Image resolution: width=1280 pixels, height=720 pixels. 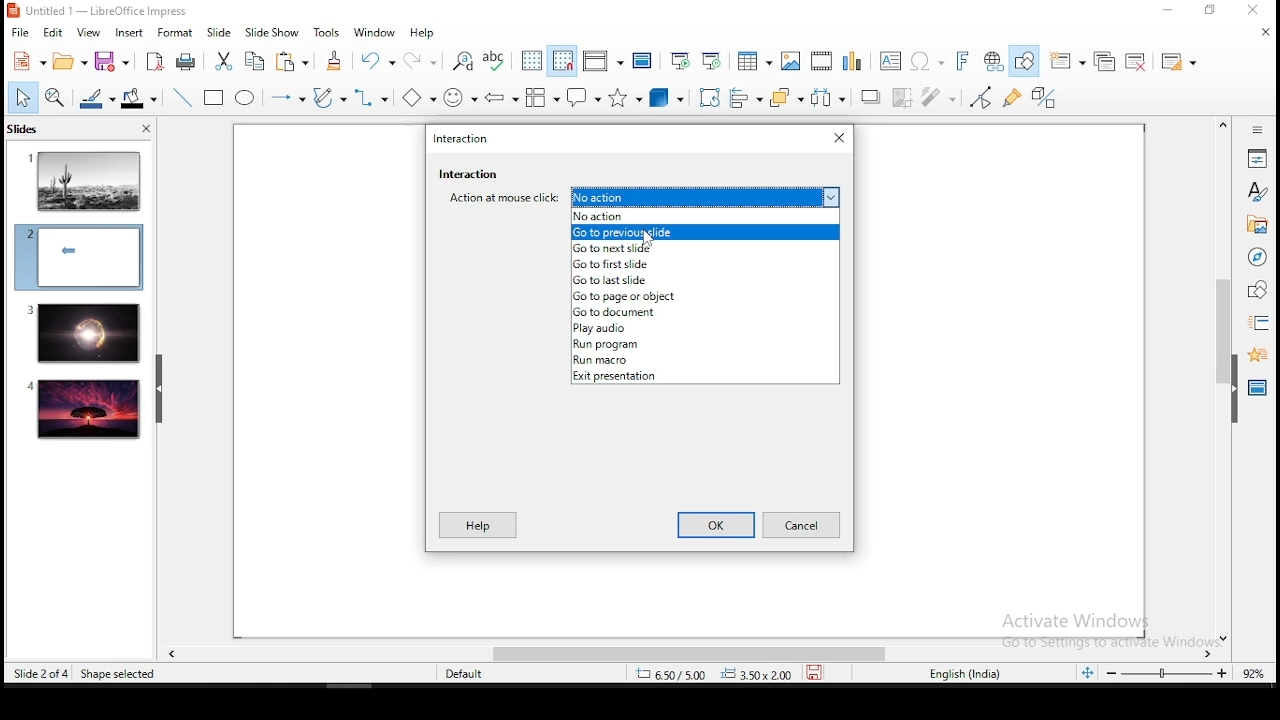 What do you see at coordinates (328, 33) in the screenshot?
I see `tools` at bounding box center [328, 33].